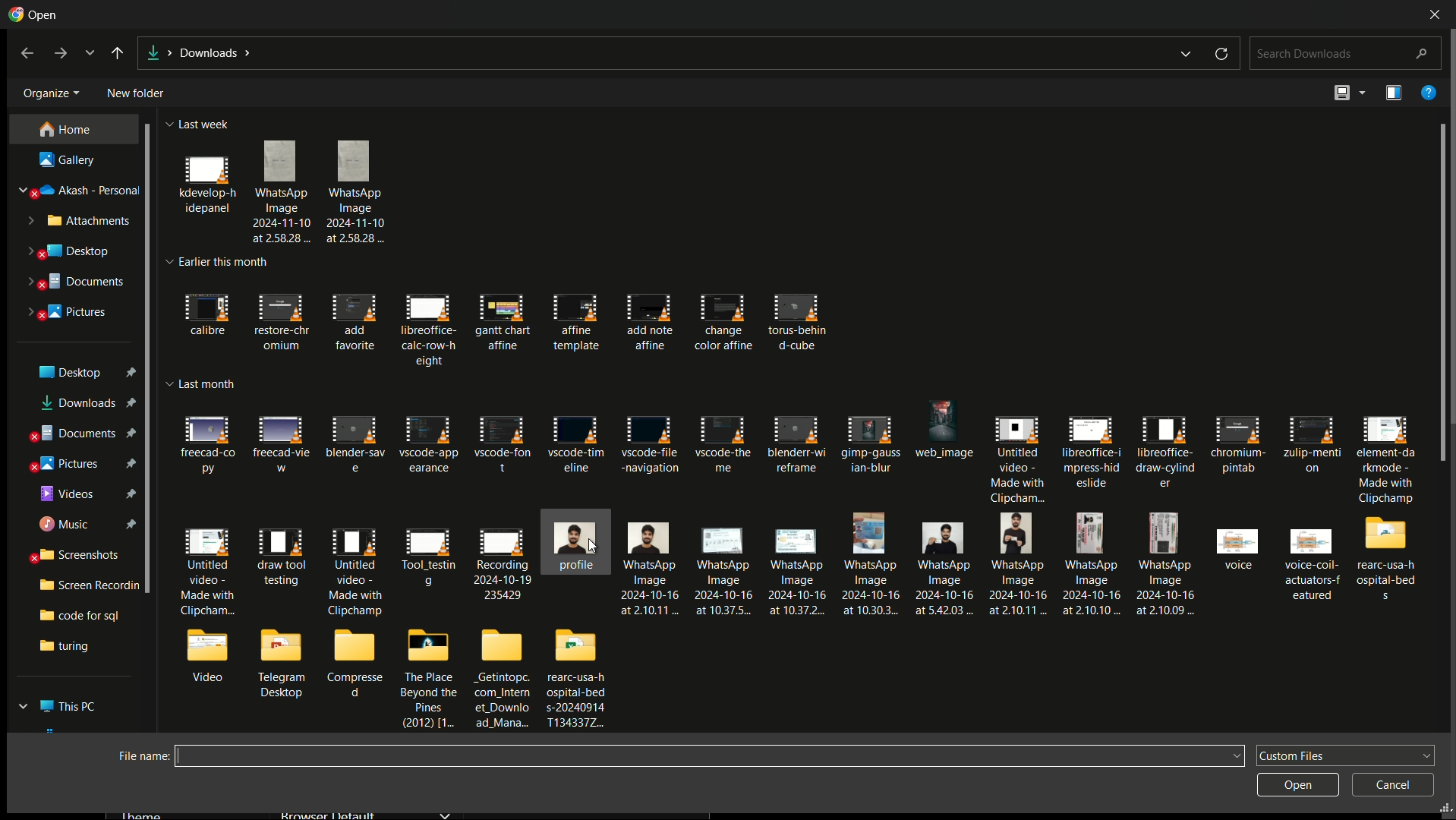  I want to click on documents, so click(74, 281).